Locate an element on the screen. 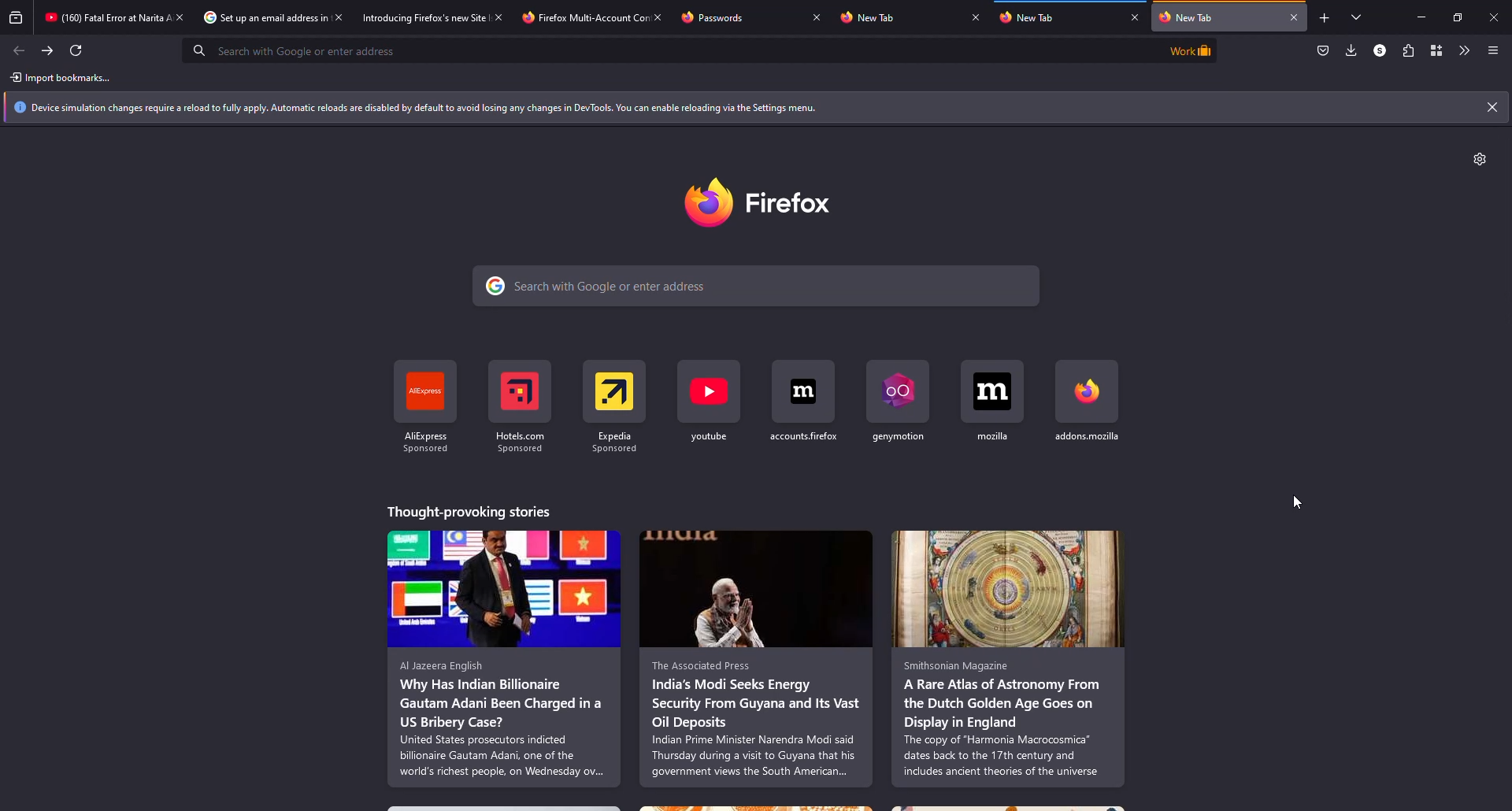 The image size is (1512, 811). Expedia shortcut is located at coordinates (615, 407).